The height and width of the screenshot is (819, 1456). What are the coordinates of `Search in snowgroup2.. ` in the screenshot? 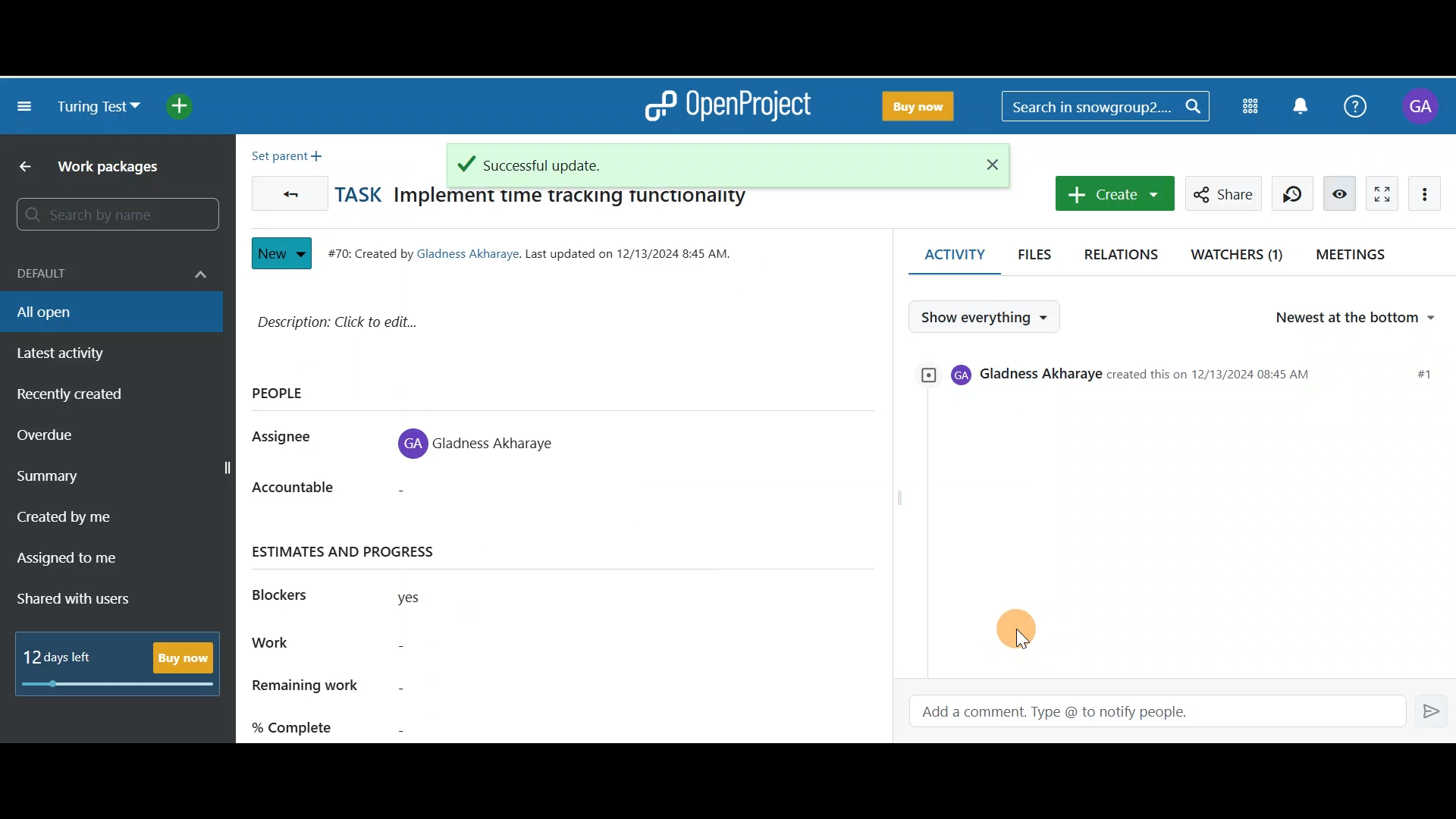 It's located at (1103, 106).